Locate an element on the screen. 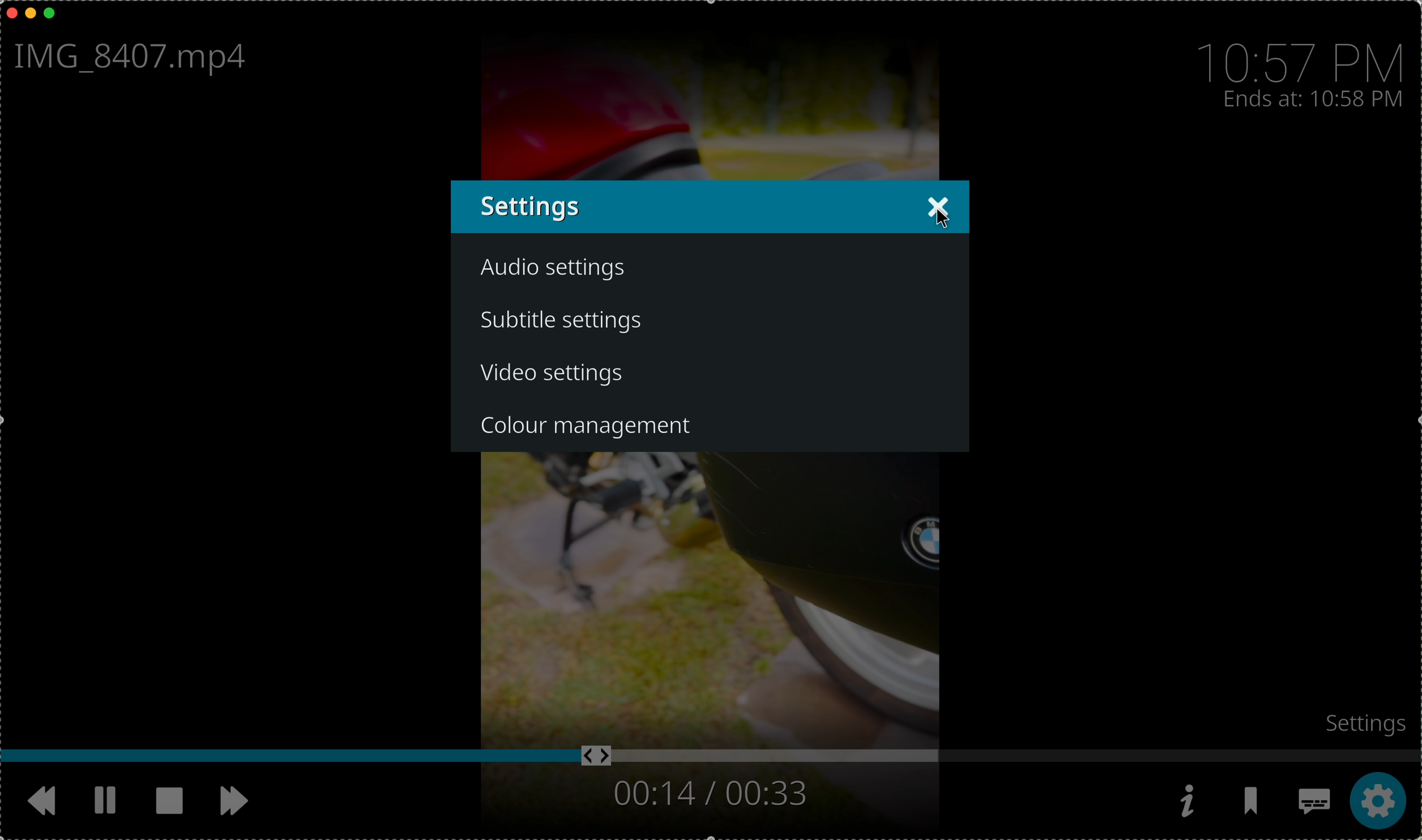 Image resolution: width=1422 pixels, height=840 pixels. ends at 10:58 PM is located at coordinates (1313, 100).